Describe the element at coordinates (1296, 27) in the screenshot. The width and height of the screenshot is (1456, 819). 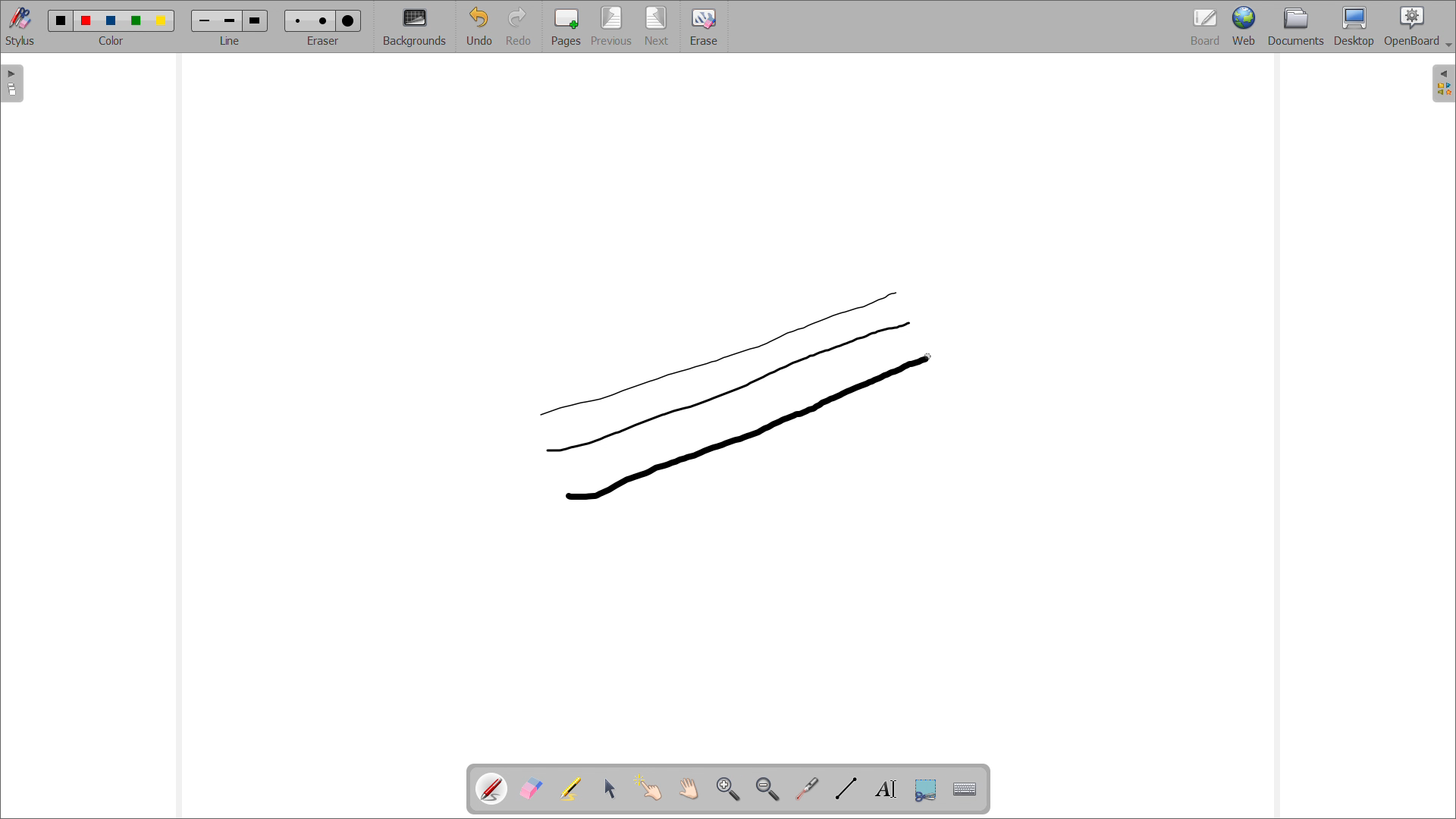
I see `documents` at that location.